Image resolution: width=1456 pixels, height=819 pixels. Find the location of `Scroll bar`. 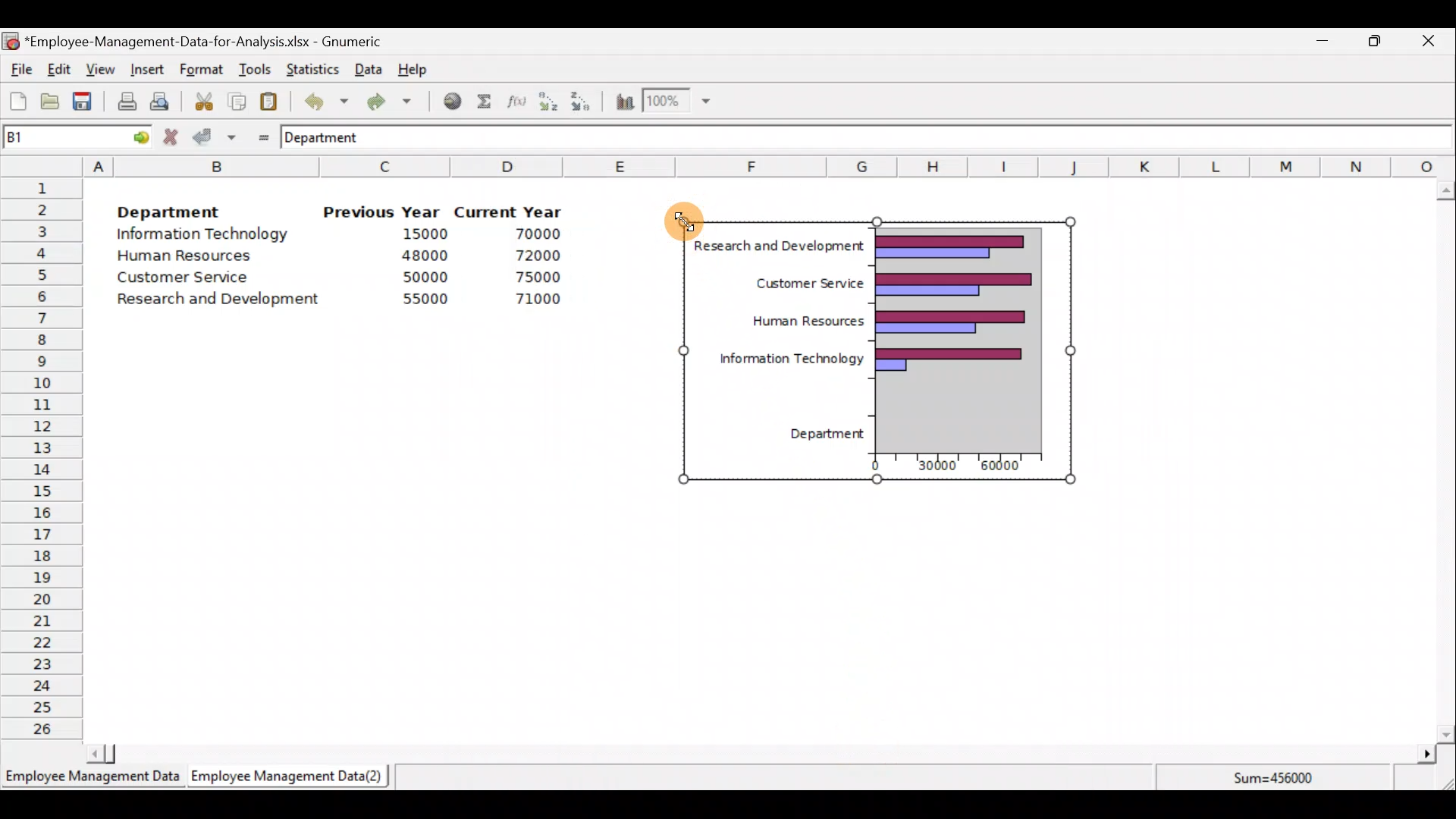

Scroll bar is located at coordinates (1445, 462).